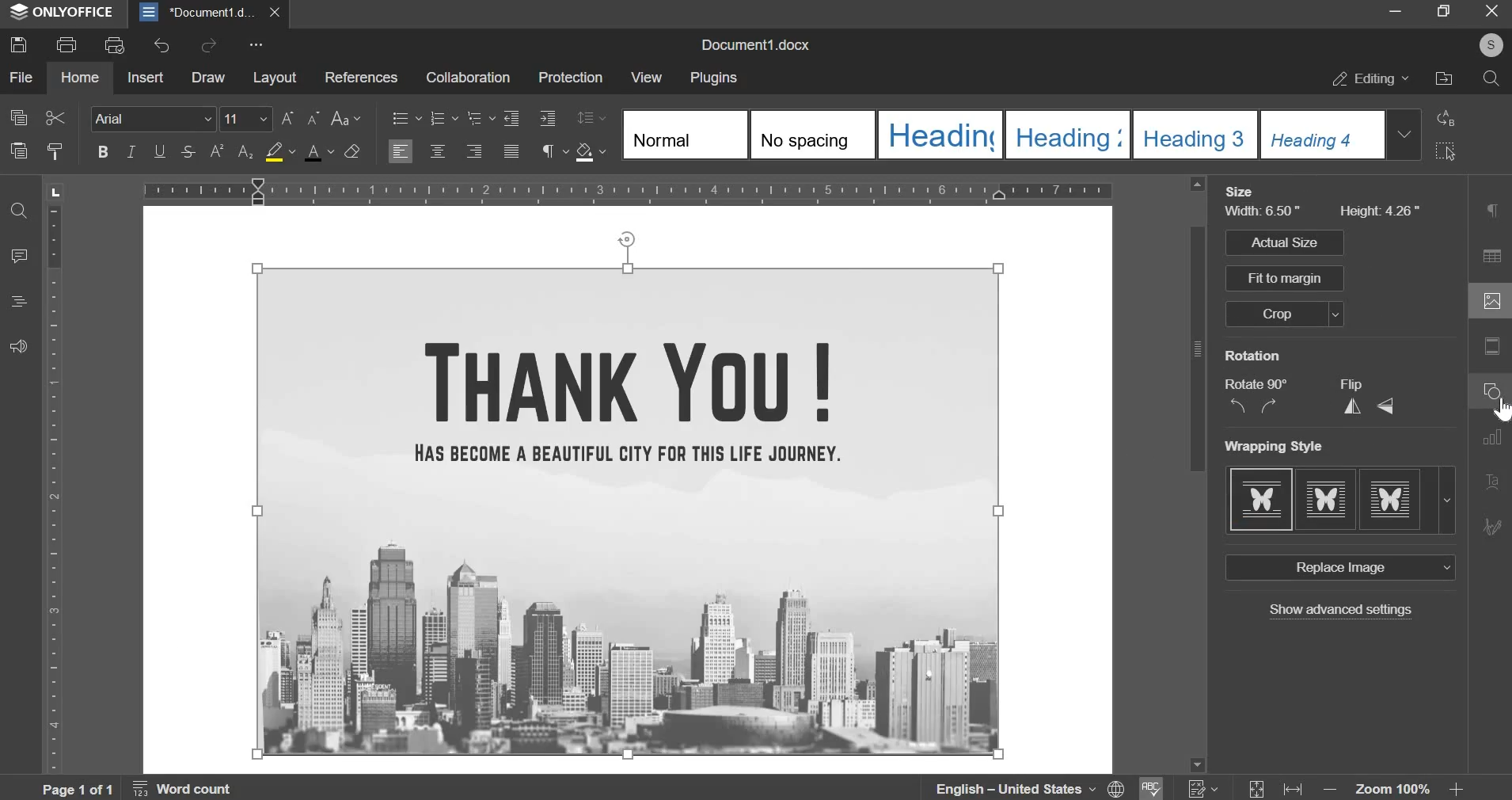 This screenshot has width=1512, height=800. I want to click on increase indent, so click(546, 118).